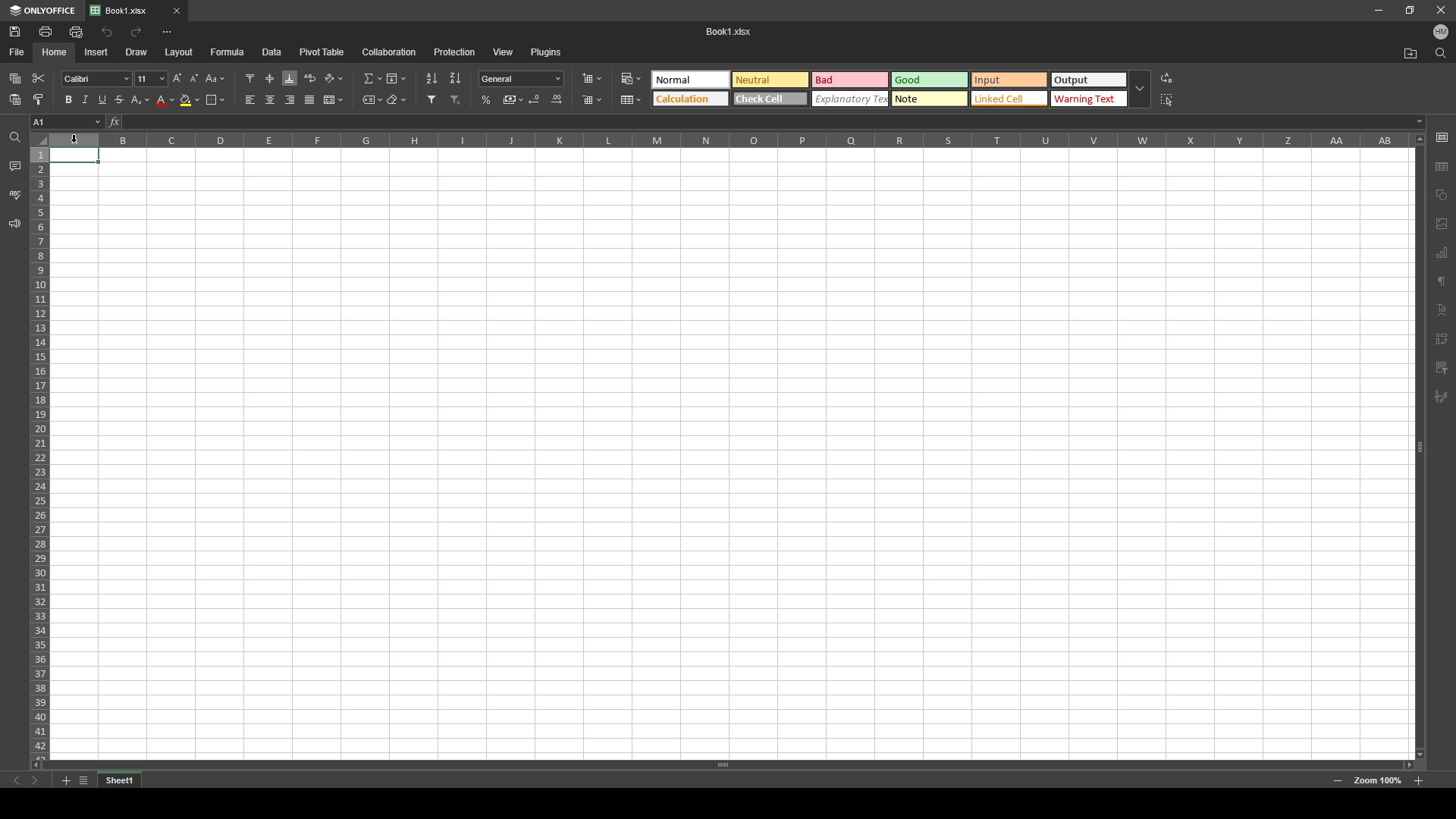 Image resolution: width=1456 pixels, height=819 pixels. Describe the element at coordinates (250, 77) in the screenshot. I see `align top` at that location.